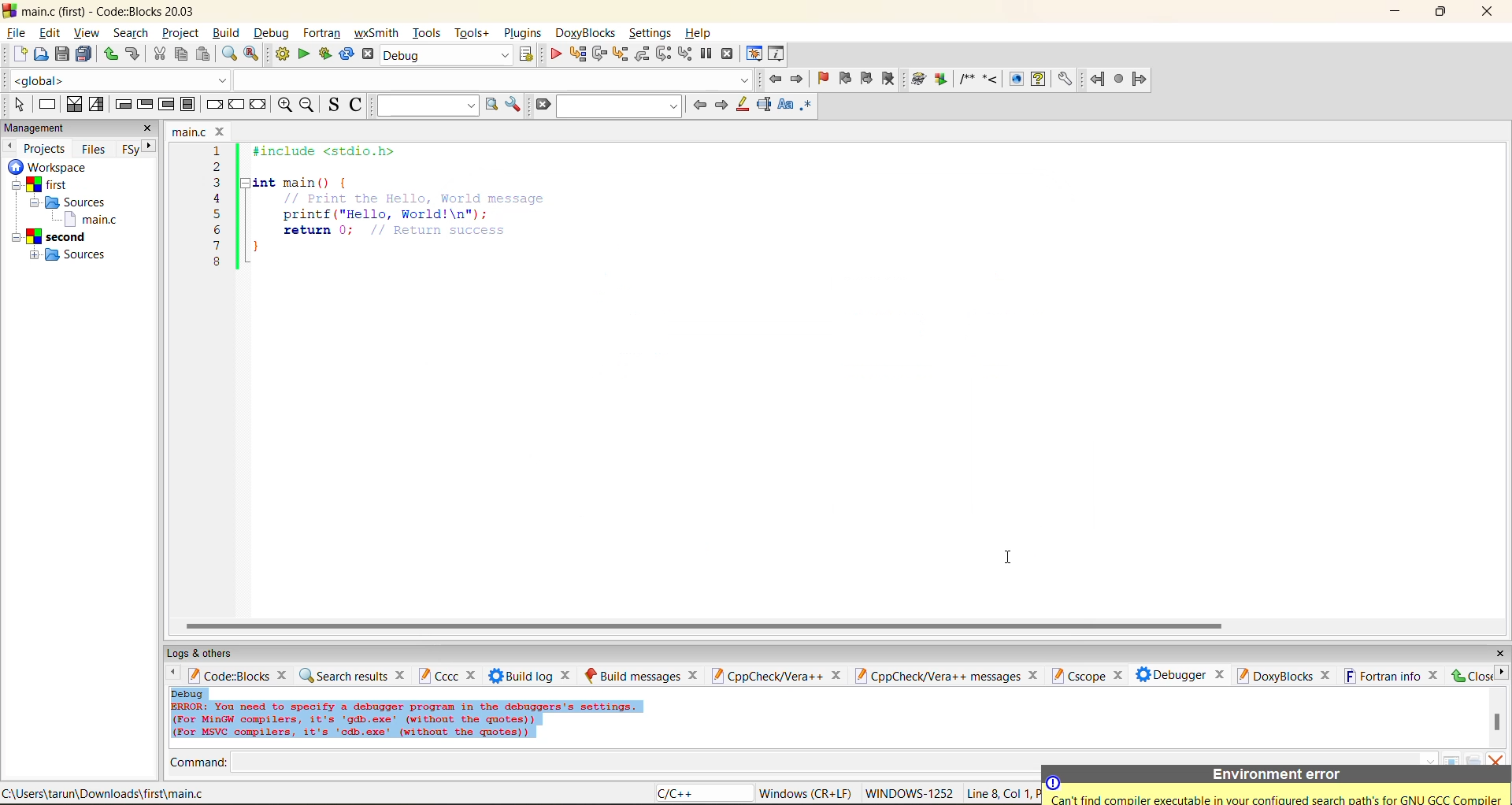  I want to click on search, so click(621, 106).